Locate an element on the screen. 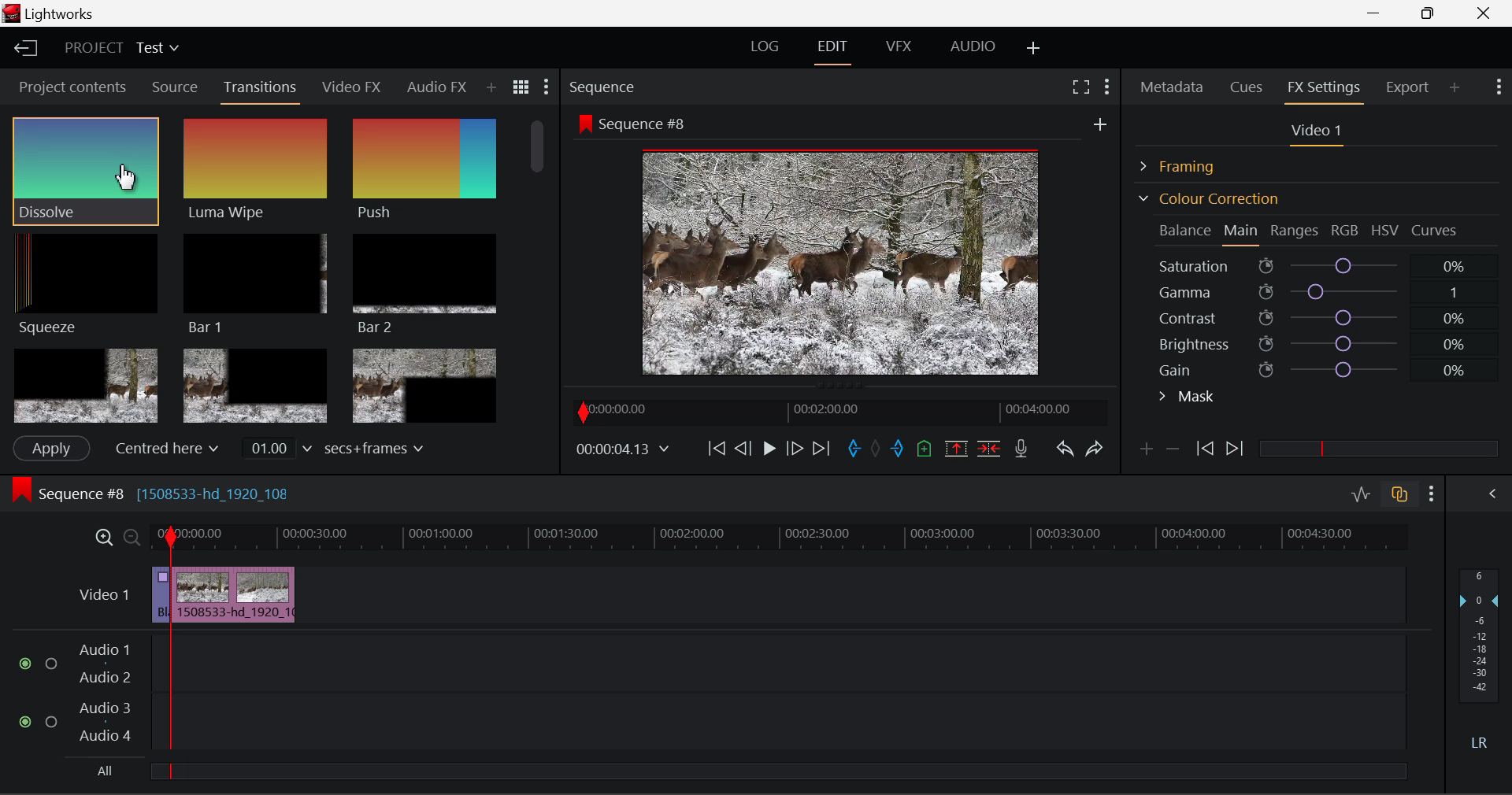 This screenshot has height=795, width=1512. Sequence #8 is located at coordinates (173, 490).